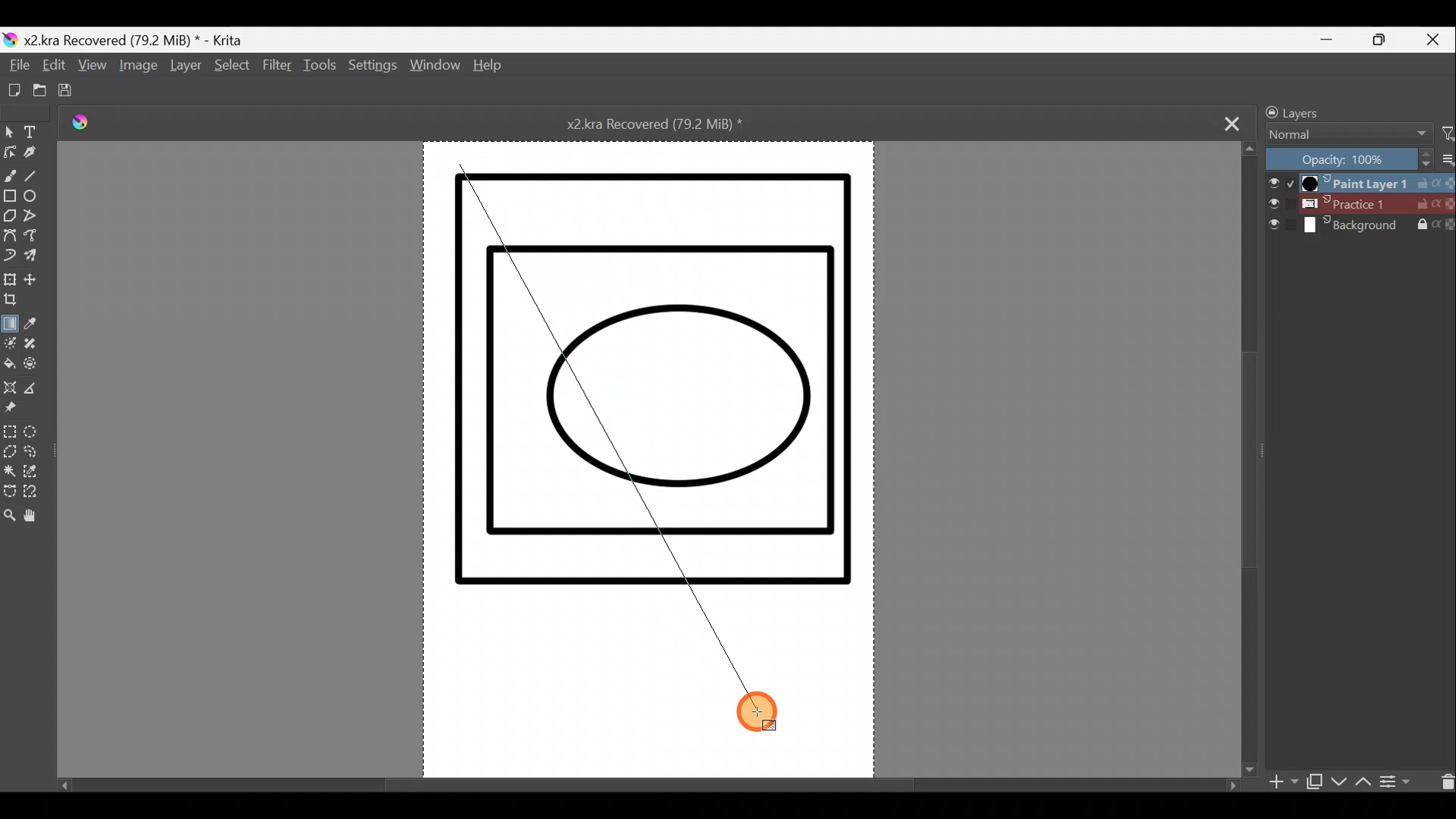 This screenshot has width=1456, height=819. What do you see at coordinates (37, 393) in the screenshot?
I see `Measure the distance between two points` at bounding box center [37, 393].